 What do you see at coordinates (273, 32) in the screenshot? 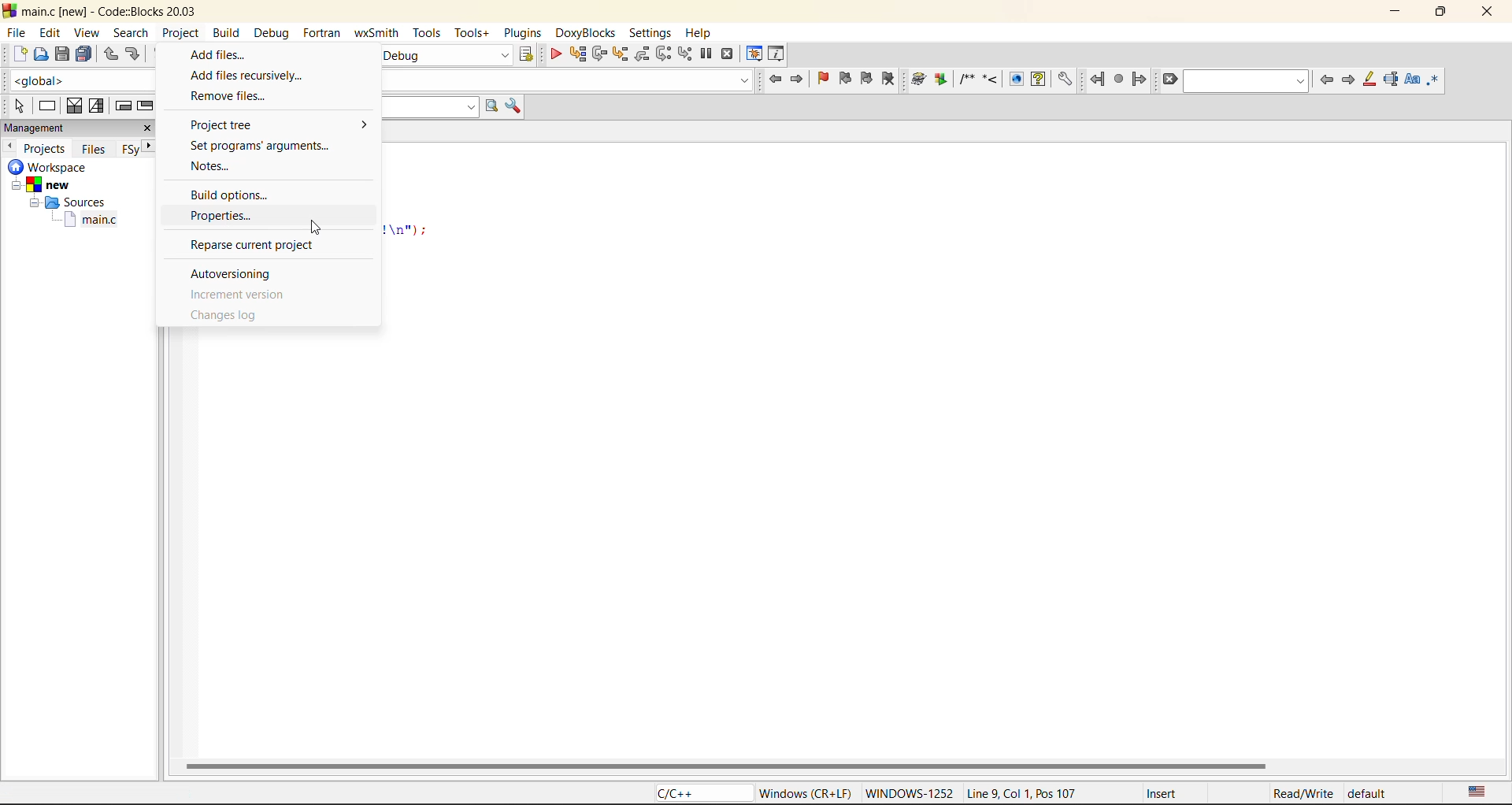
I see `debug` at bounding box center [273, 32].